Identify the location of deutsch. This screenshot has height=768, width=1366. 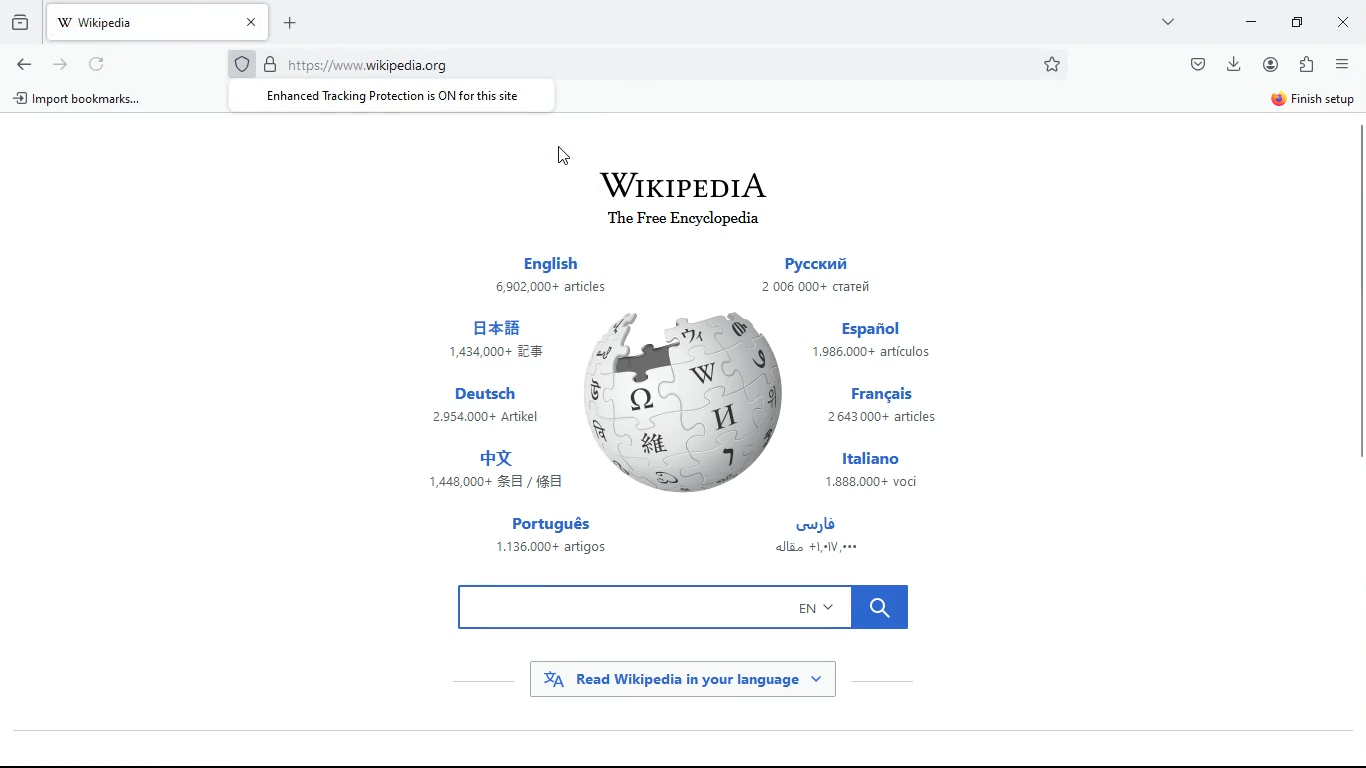
(487, 407).